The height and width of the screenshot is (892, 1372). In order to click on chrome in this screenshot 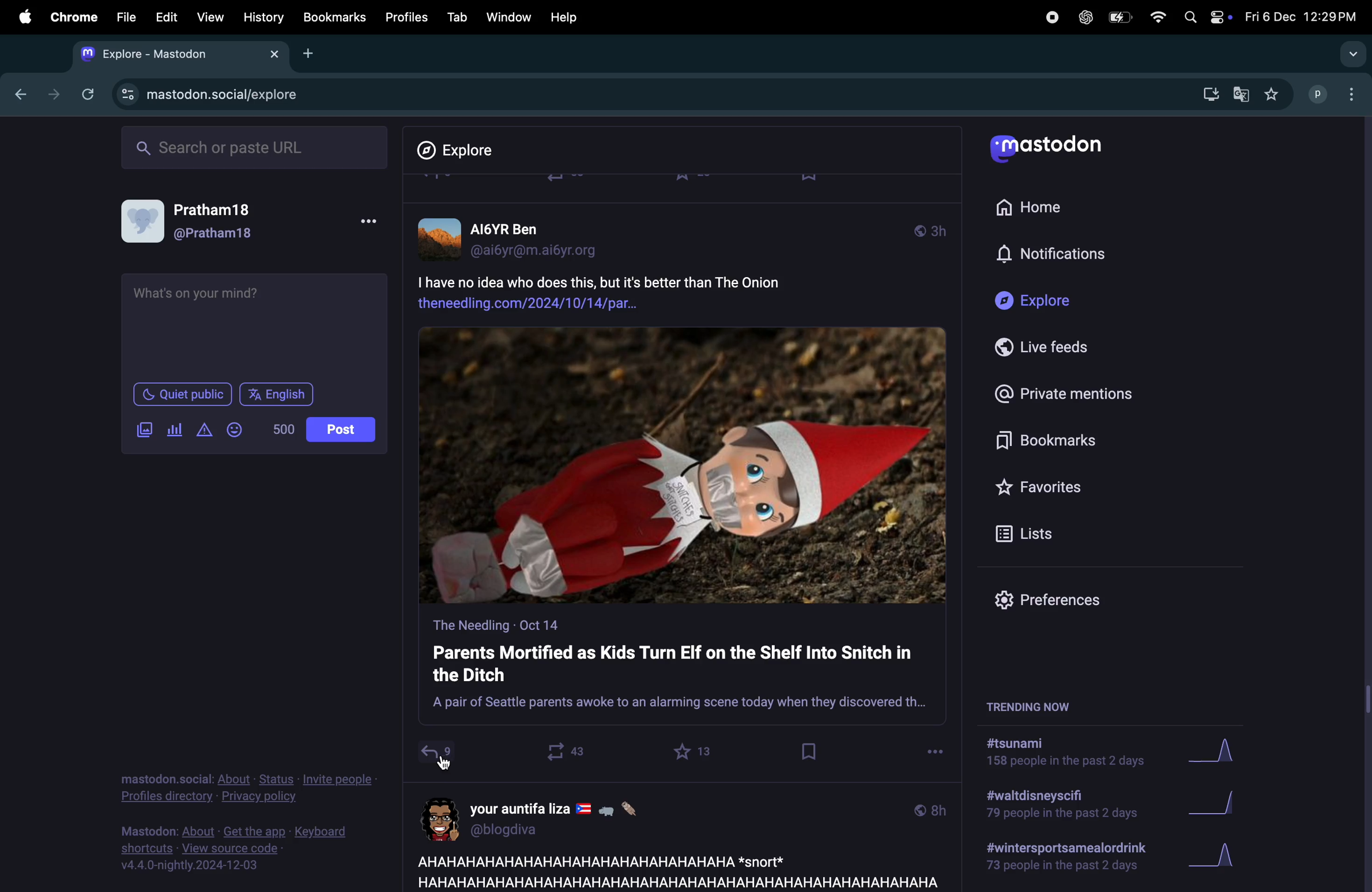, I will do `click(71, 17)`.